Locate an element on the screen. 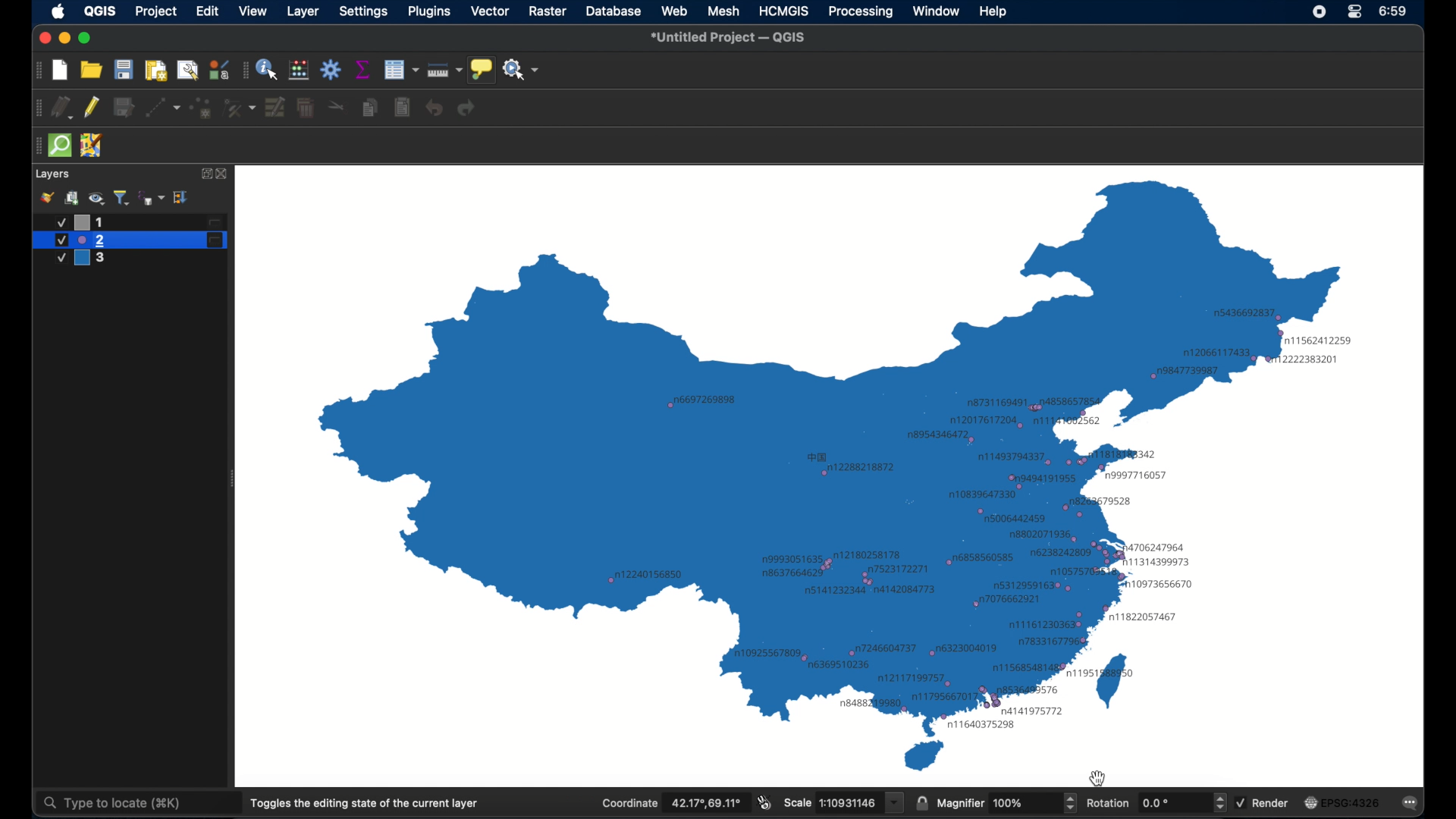  add group is located at coordinates (73, 197).